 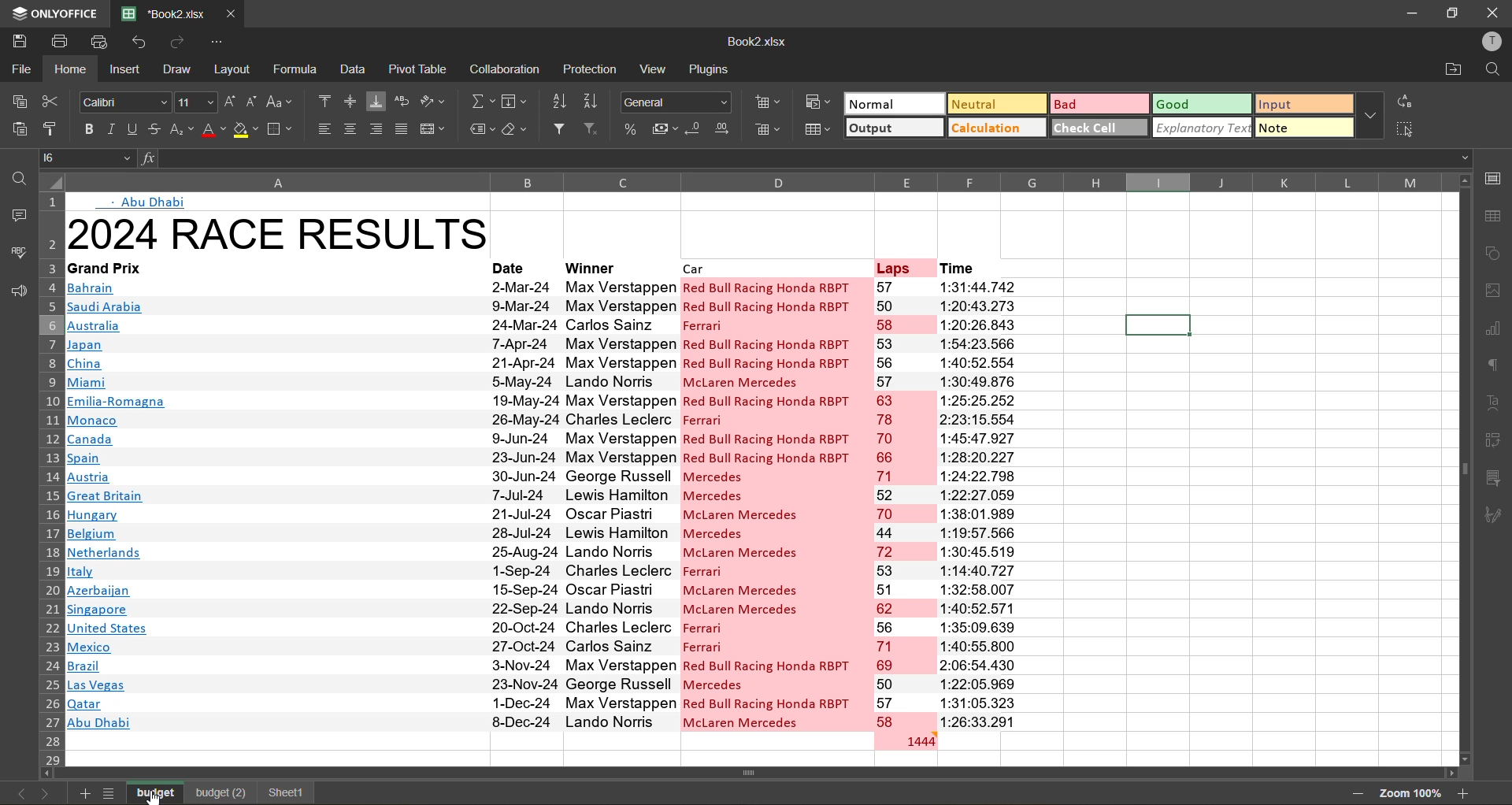 What do you see at coordinates (513, 266) in the screenshot?
I see `date` at bounding box center [513, 266].